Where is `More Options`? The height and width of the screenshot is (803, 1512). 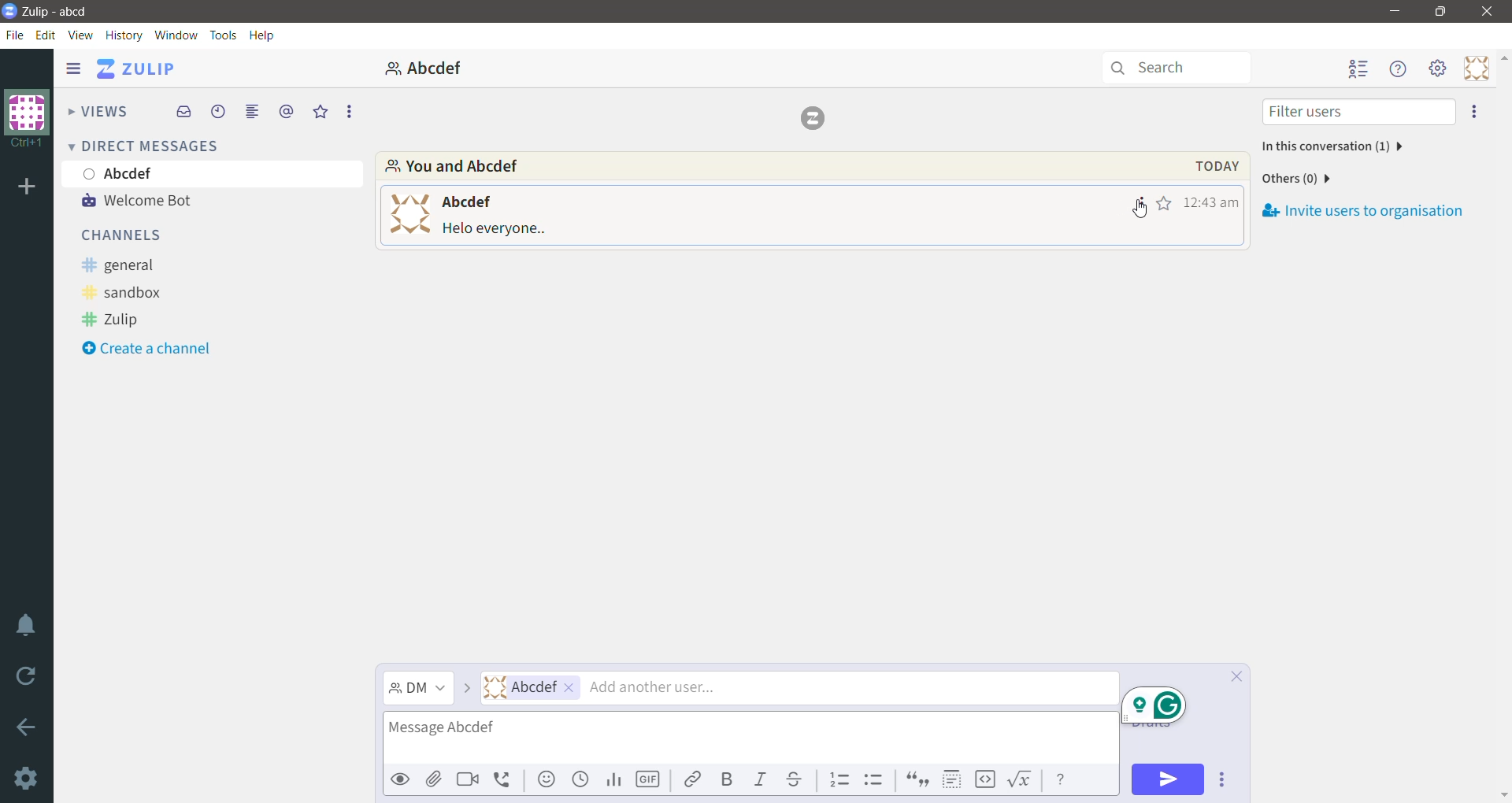 More Options is located at coordinates (348, 111).